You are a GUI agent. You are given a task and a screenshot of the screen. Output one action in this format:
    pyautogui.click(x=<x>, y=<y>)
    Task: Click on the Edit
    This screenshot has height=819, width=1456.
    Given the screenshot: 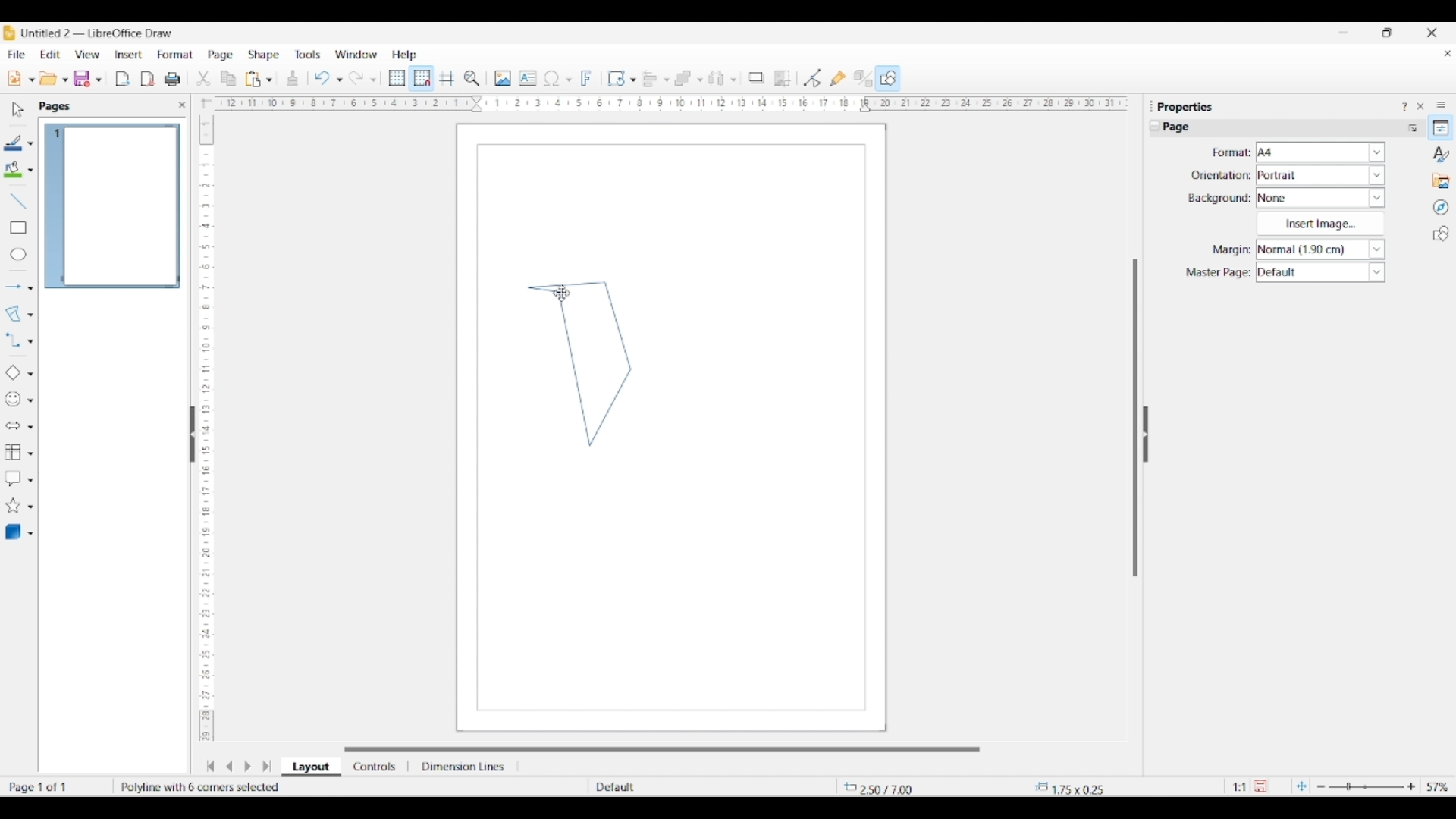 What is the action you would take?
    pyautogui.click(x=50, y=55)
    